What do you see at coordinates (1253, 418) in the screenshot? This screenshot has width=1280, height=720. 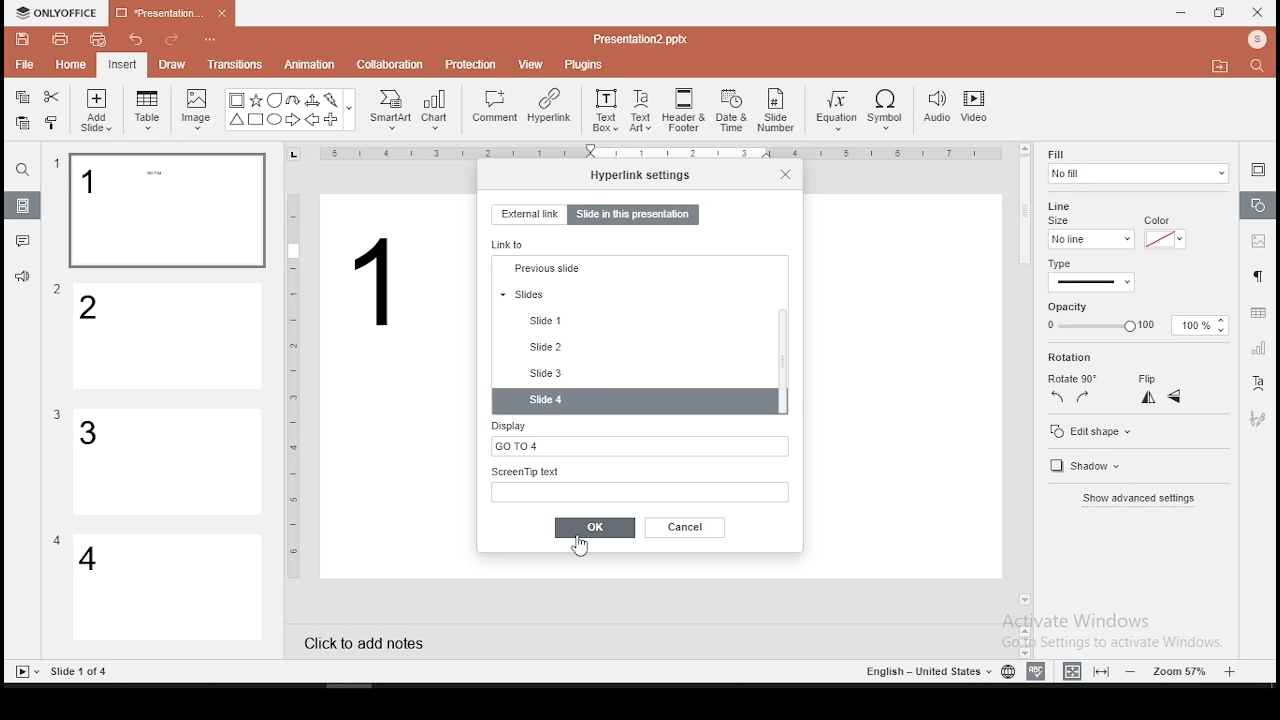 I see `` at bounding box center [1253, 418].